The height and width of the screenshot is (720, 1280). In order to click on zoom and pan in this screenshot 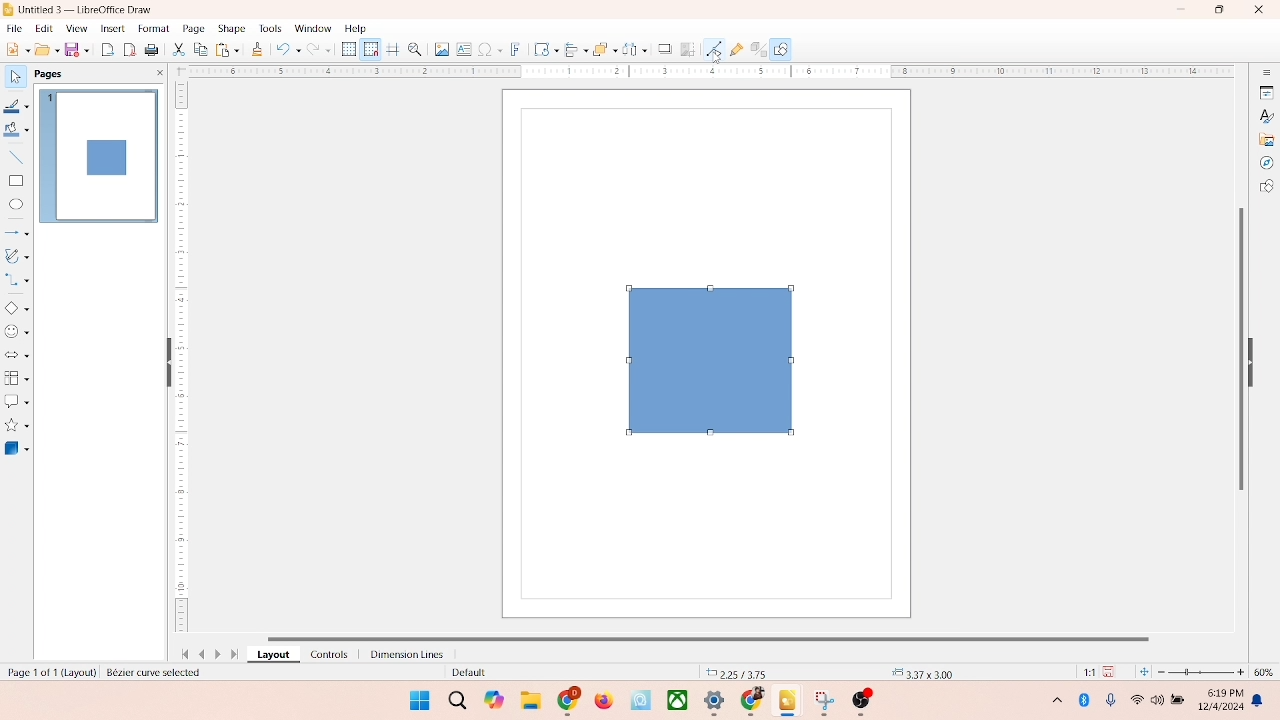, I will do `click(414, 48)`.